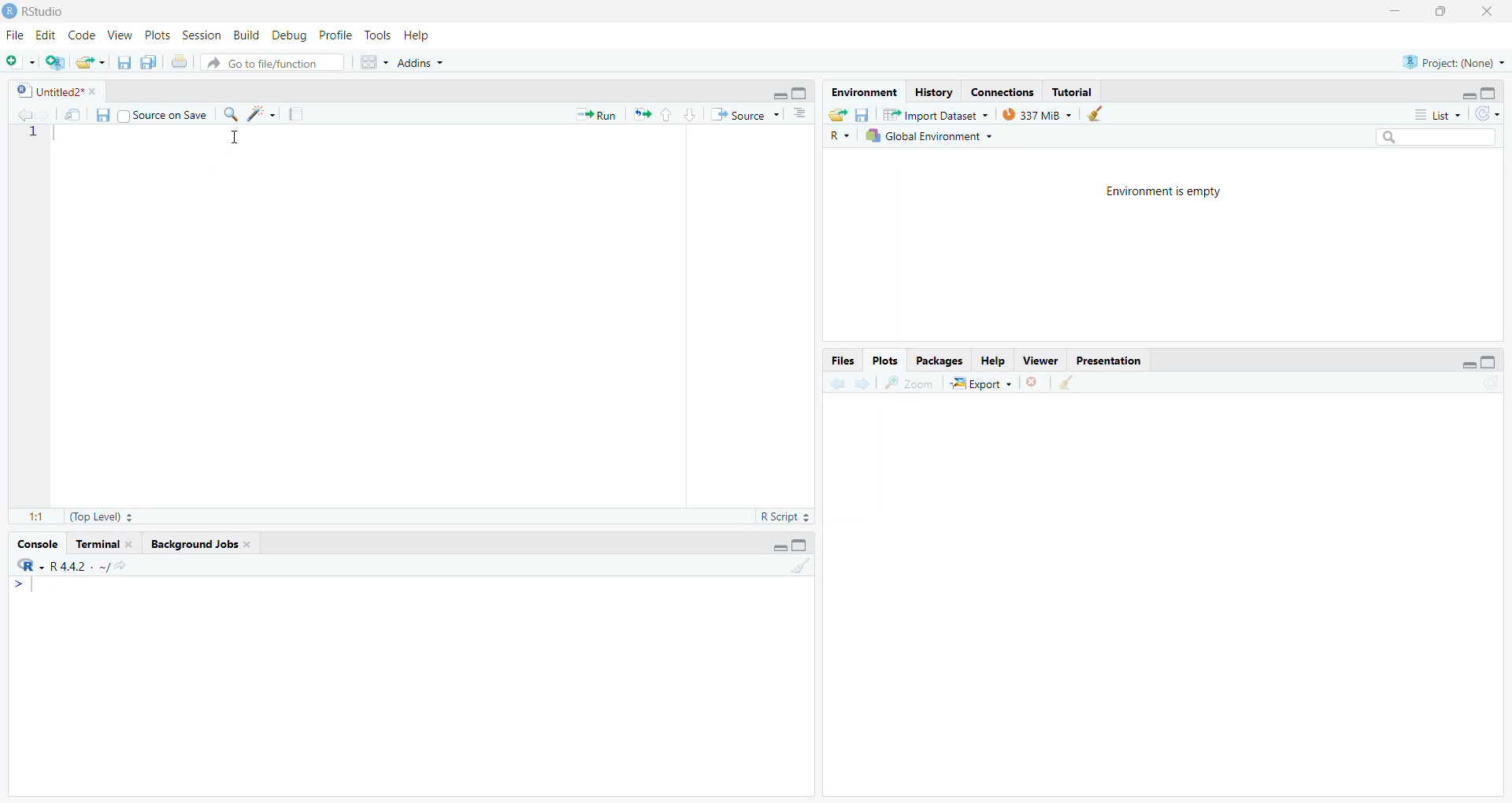 This screenshot has height=803, width=1512. I want to click on Plots, so click(885, 360).